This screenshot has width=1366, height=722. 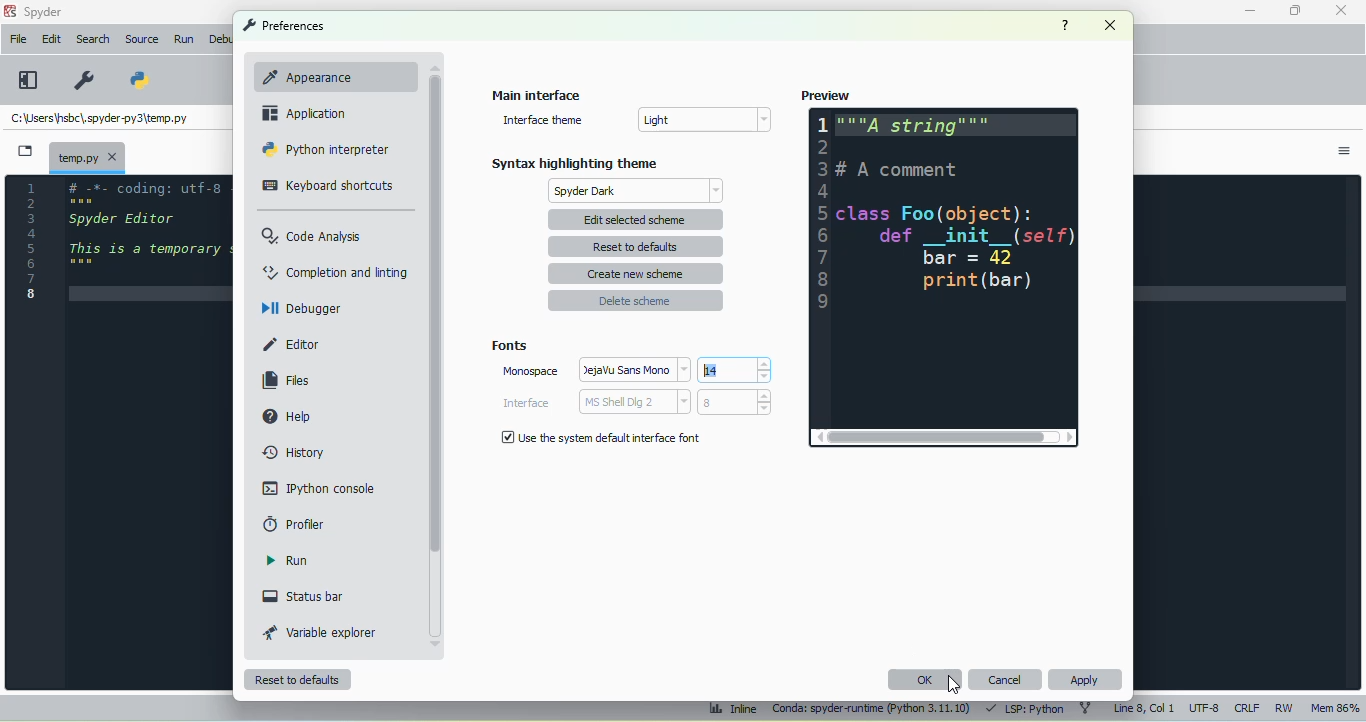 What do you see at coordinates (328, 76) in the screenshot?
I see `appearance` at bounding box center [328, 76].